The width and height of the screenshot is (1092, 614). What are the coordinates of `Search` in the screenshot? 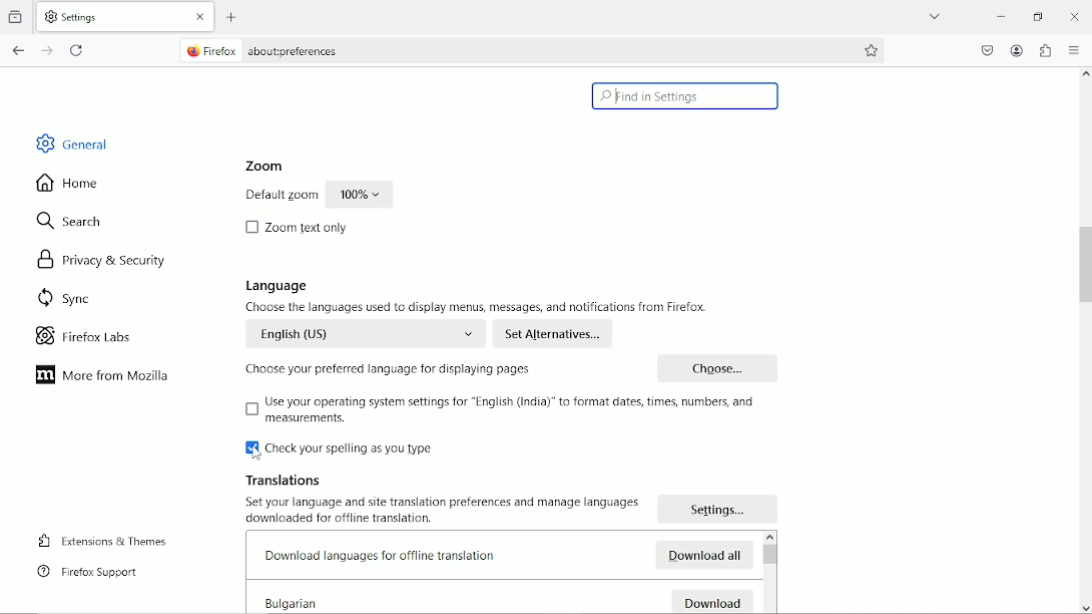 It's located at (75, 220).